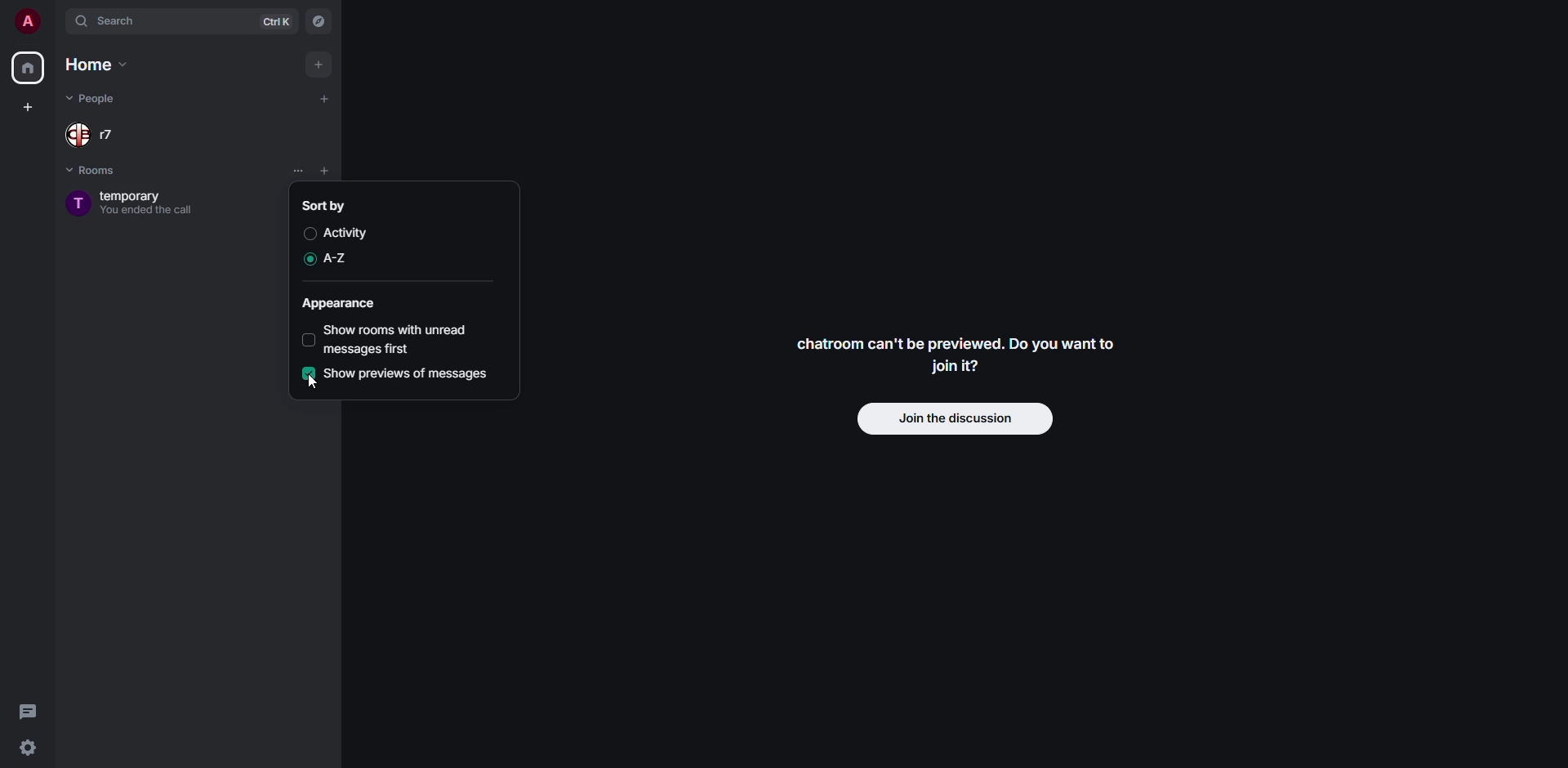 This screenshot has height=768, width=1568. What do you see at coordinates (114, 20) in the screenshot?
I see `search` at bounding box center [114, 20].